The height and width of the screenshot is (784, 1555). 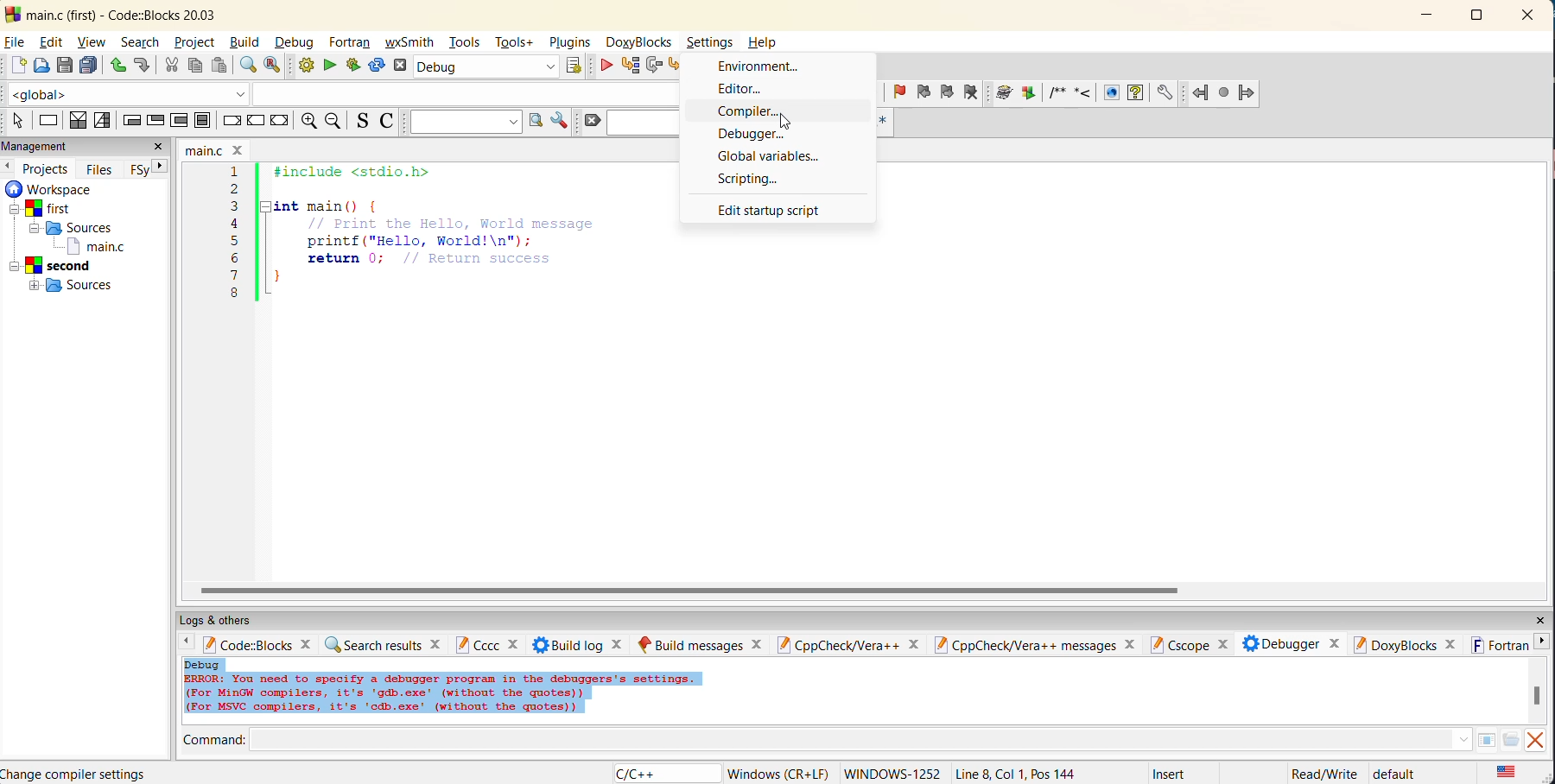 I want to click on block instruction, so click(x=202, y=121).